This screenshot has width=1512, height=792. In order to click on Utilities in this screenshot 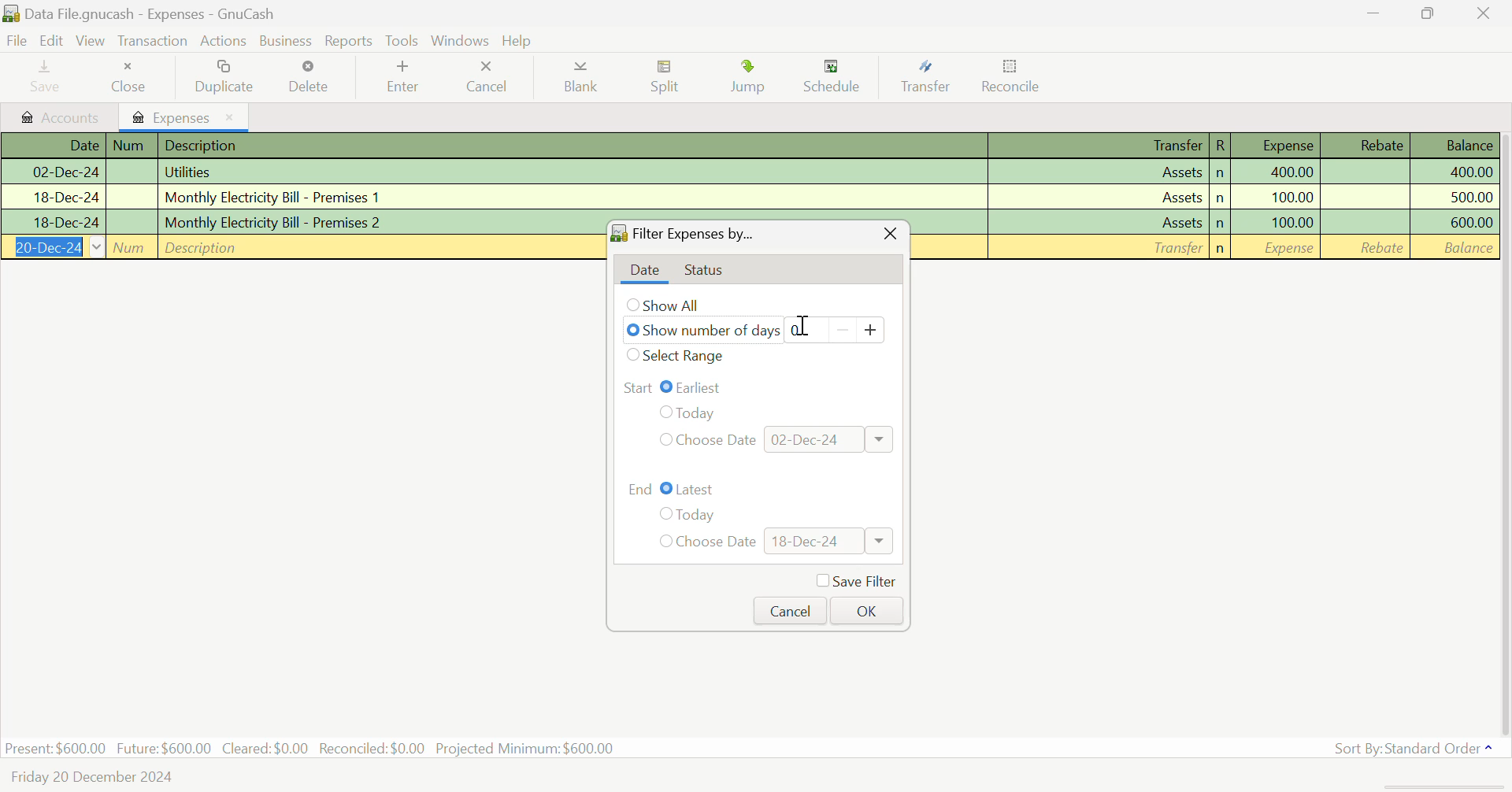, I will do `click(573, 172)`.